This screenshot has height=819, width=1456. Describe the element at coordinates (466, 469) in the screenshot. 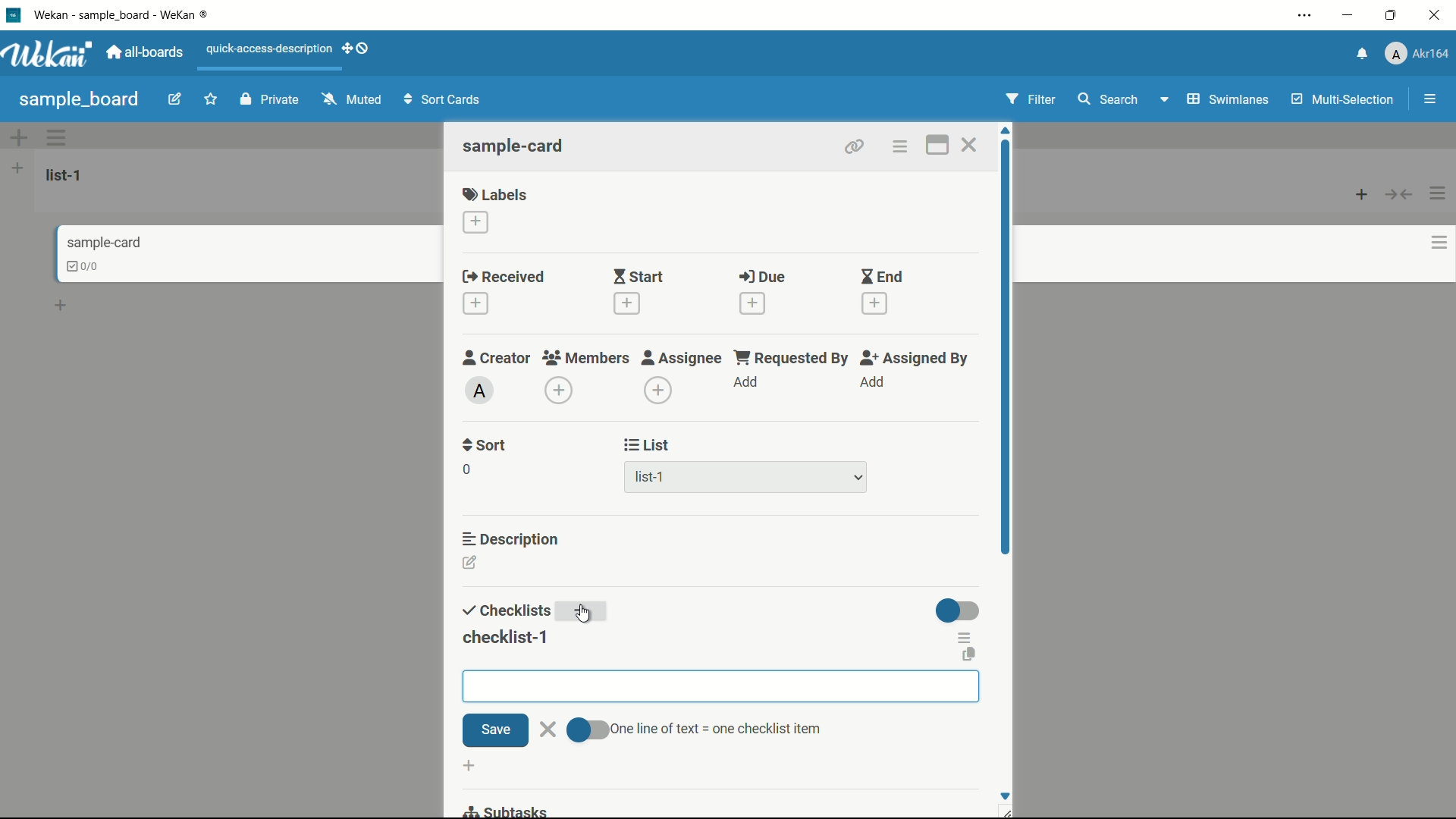

I see `0` at that location.